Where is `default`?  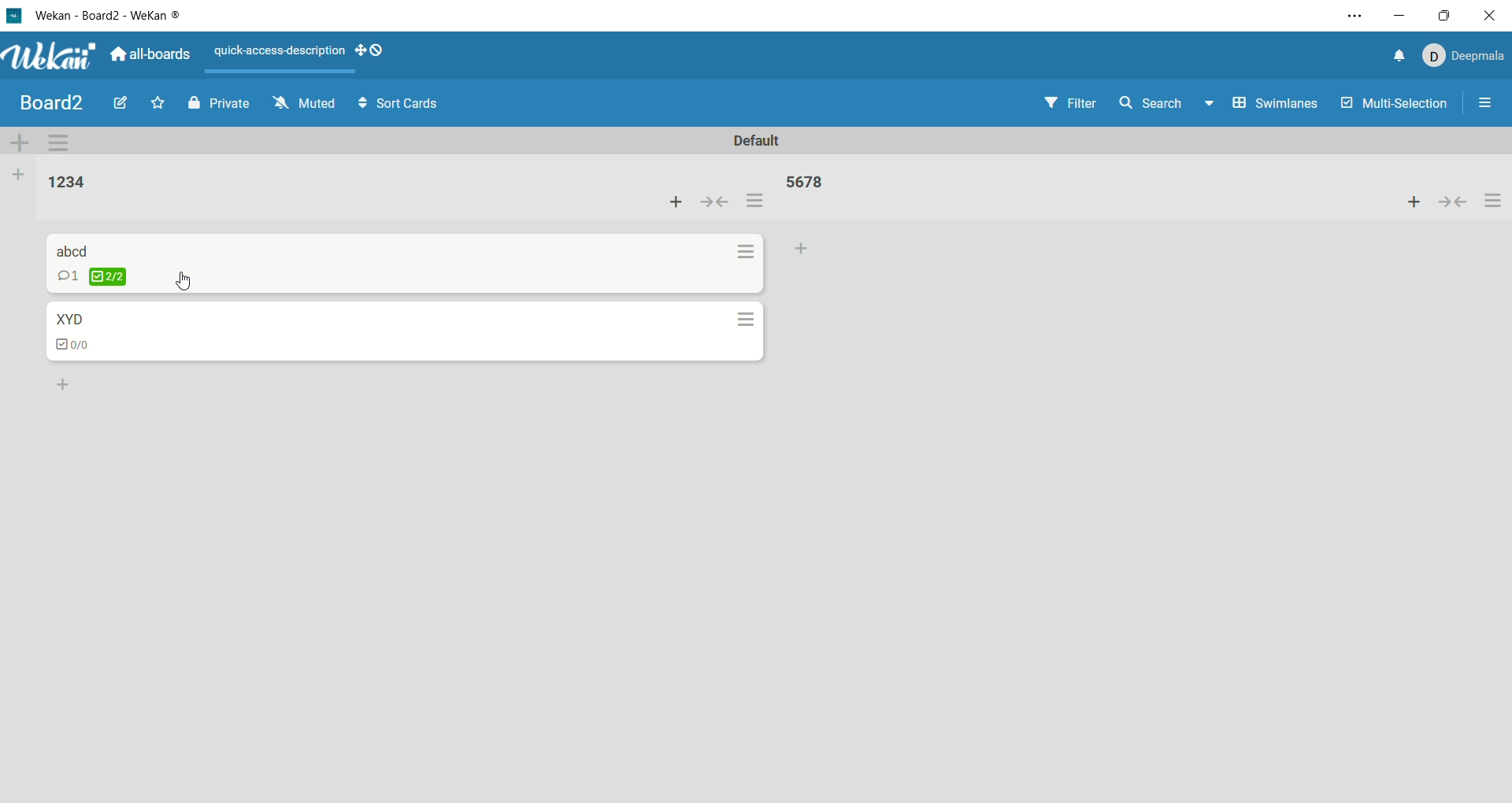 default is located at coordinates (757, 140).